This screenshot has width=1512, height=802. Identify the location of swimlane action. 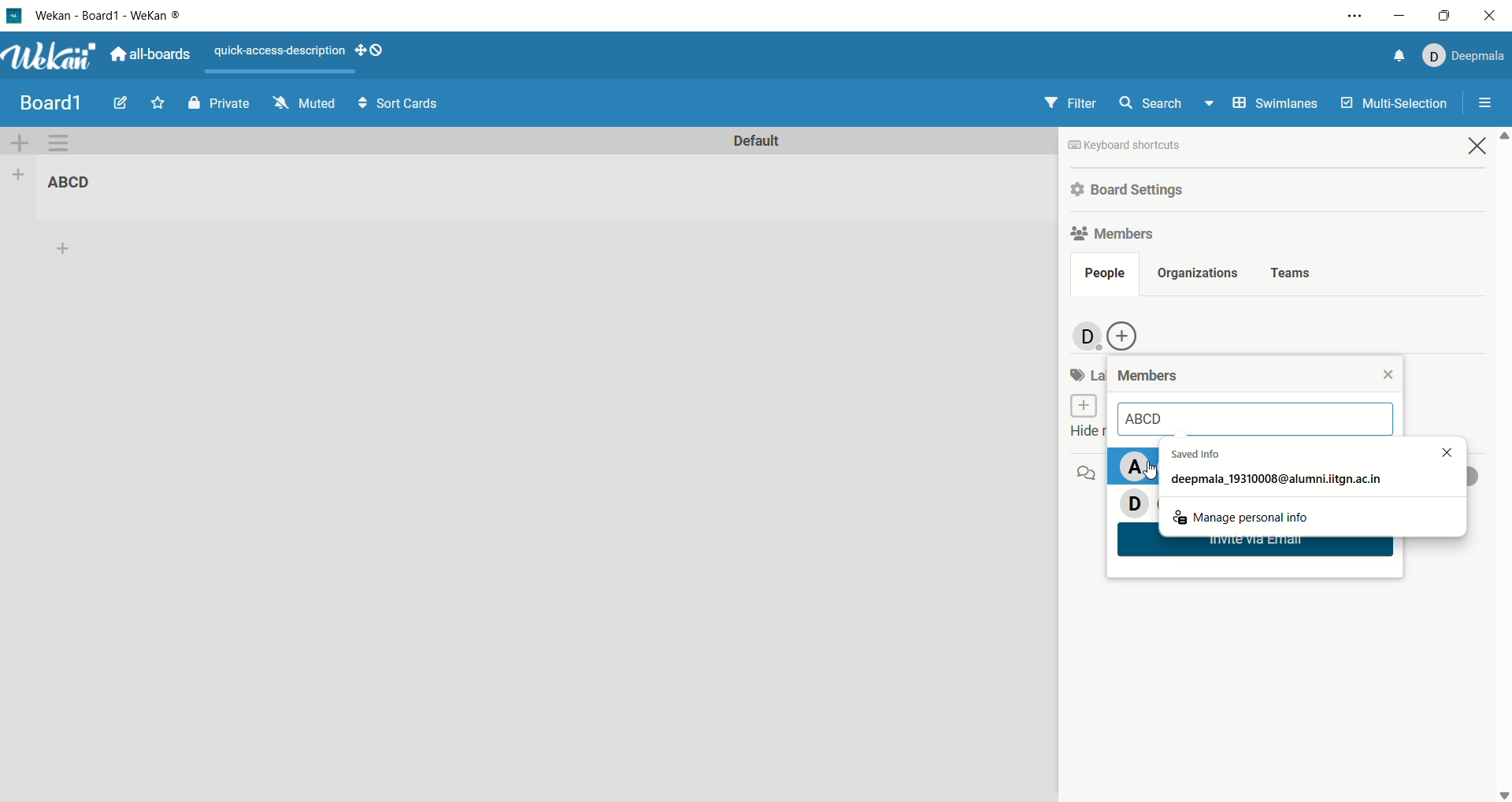
(65, 144).